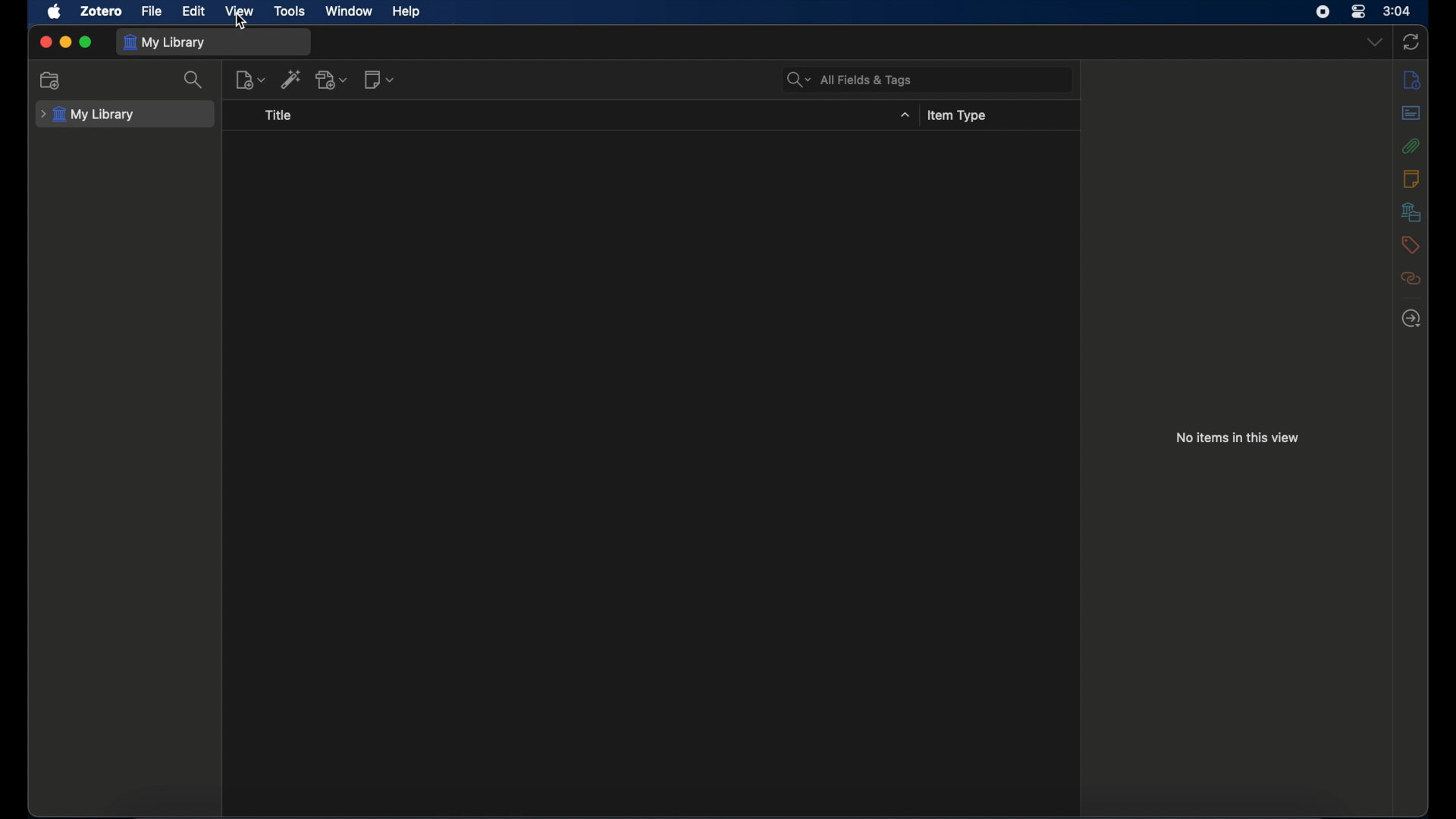 The image size is (1456, 819). What do you see at coordinates (45, 42) in the screenshot?
I see `close` at bounding box center [45, 42].